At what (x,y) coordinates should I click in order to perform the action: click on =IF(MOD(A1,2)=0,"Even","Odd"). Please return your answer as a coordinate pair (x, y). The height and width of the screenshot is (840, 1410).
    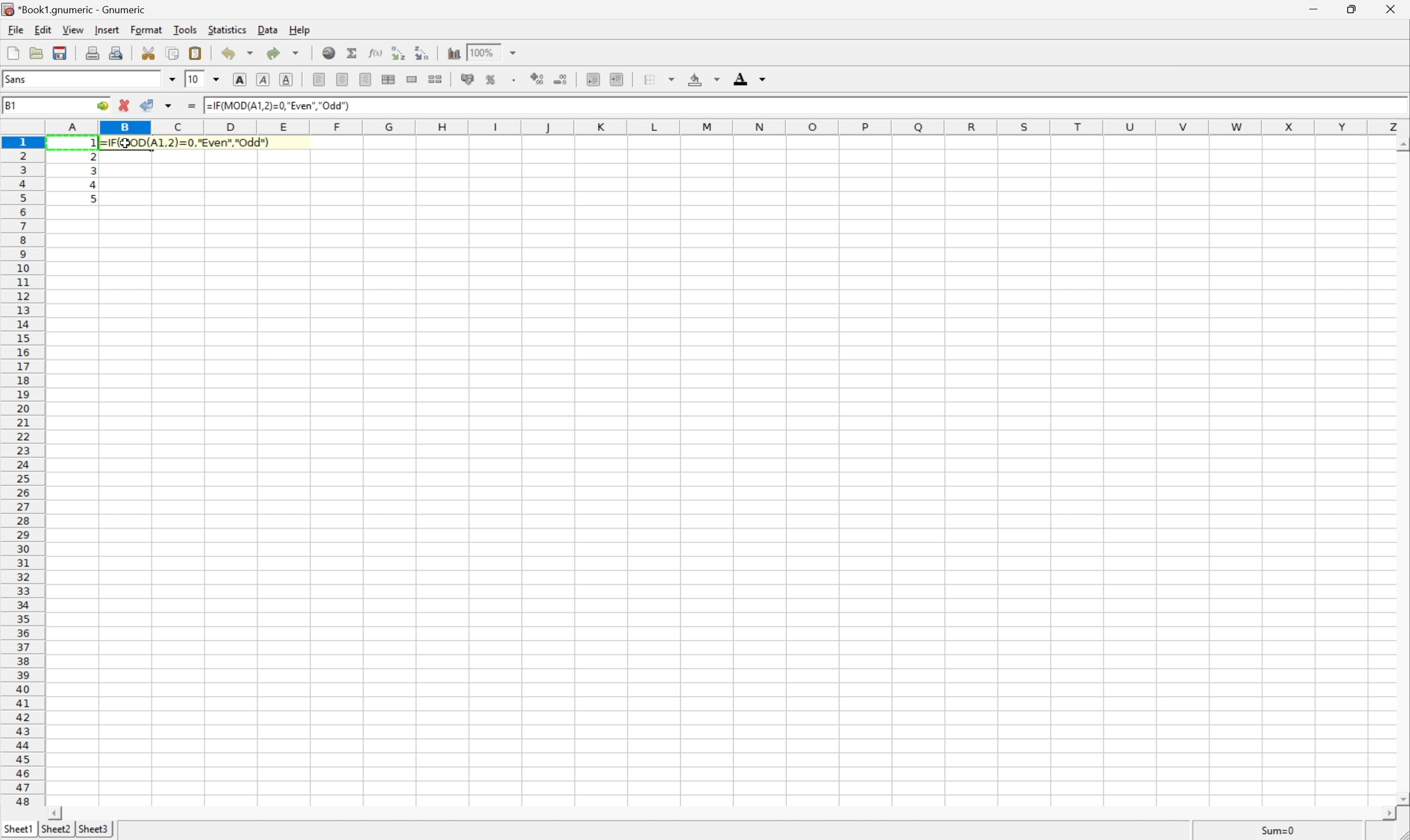
    Looking at the image, I should click on (288, 105).